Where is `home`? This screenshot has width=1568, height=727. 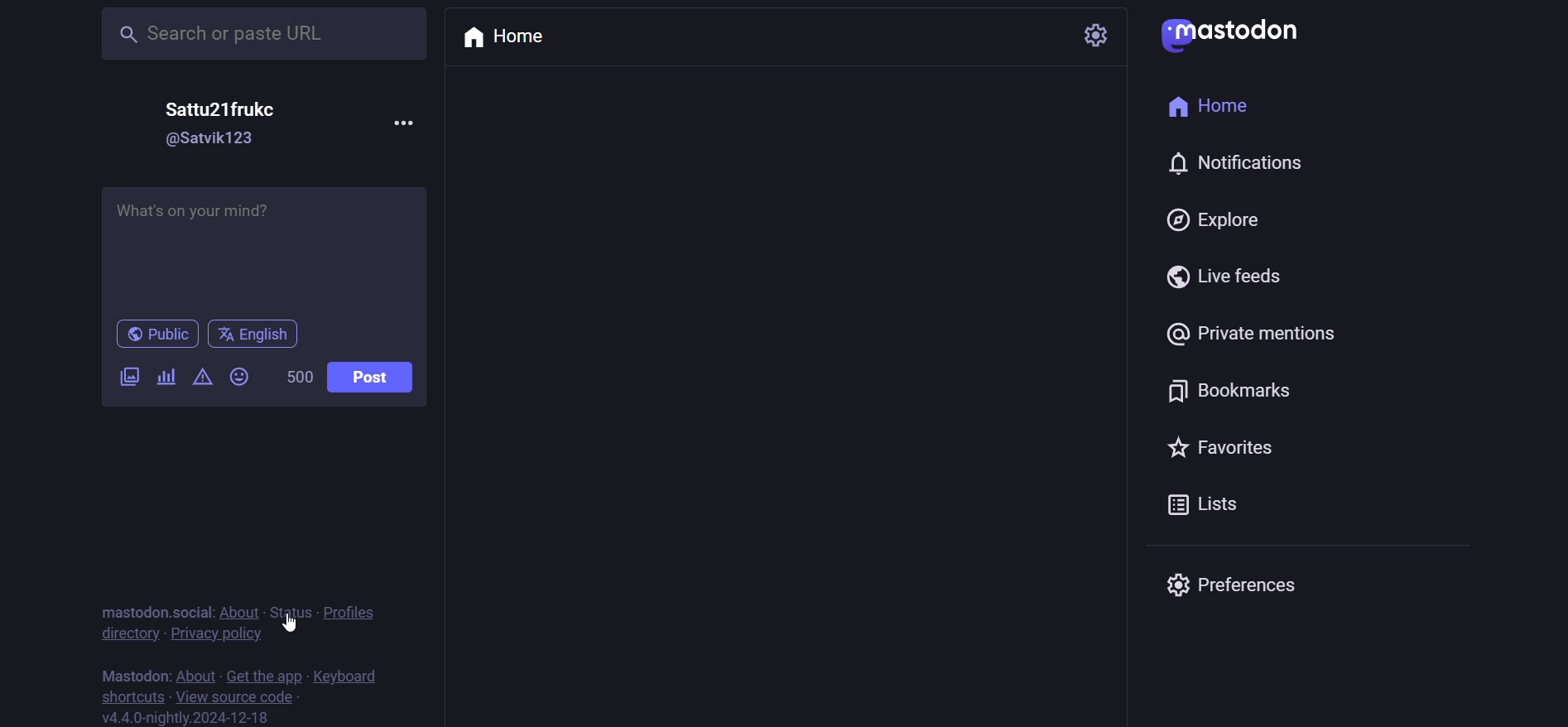
home is located at coordinates (509, 38).